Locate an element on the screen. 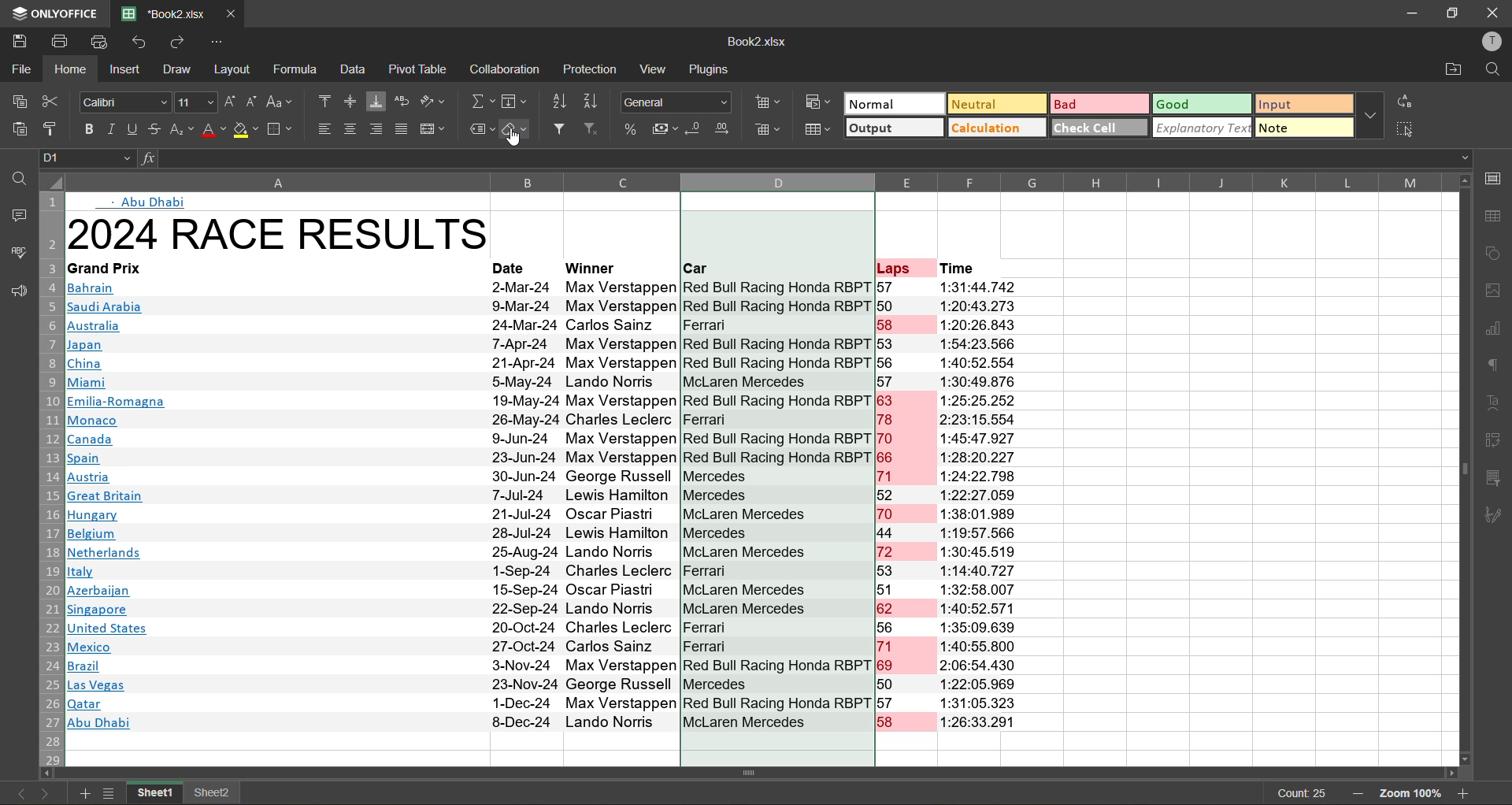  insert cells is located at coordinates (766, 103).